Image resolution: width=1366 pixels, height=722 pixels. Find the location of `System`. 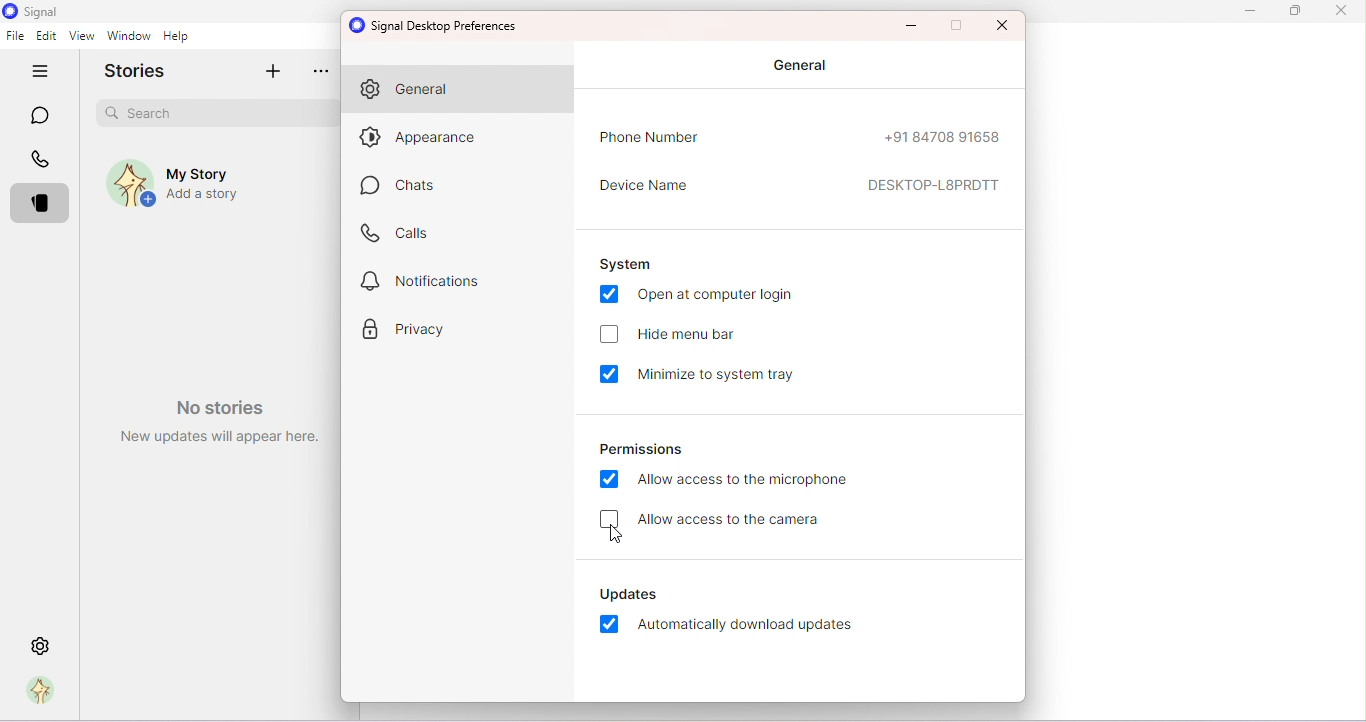

System is located at coordinates (630, 265).